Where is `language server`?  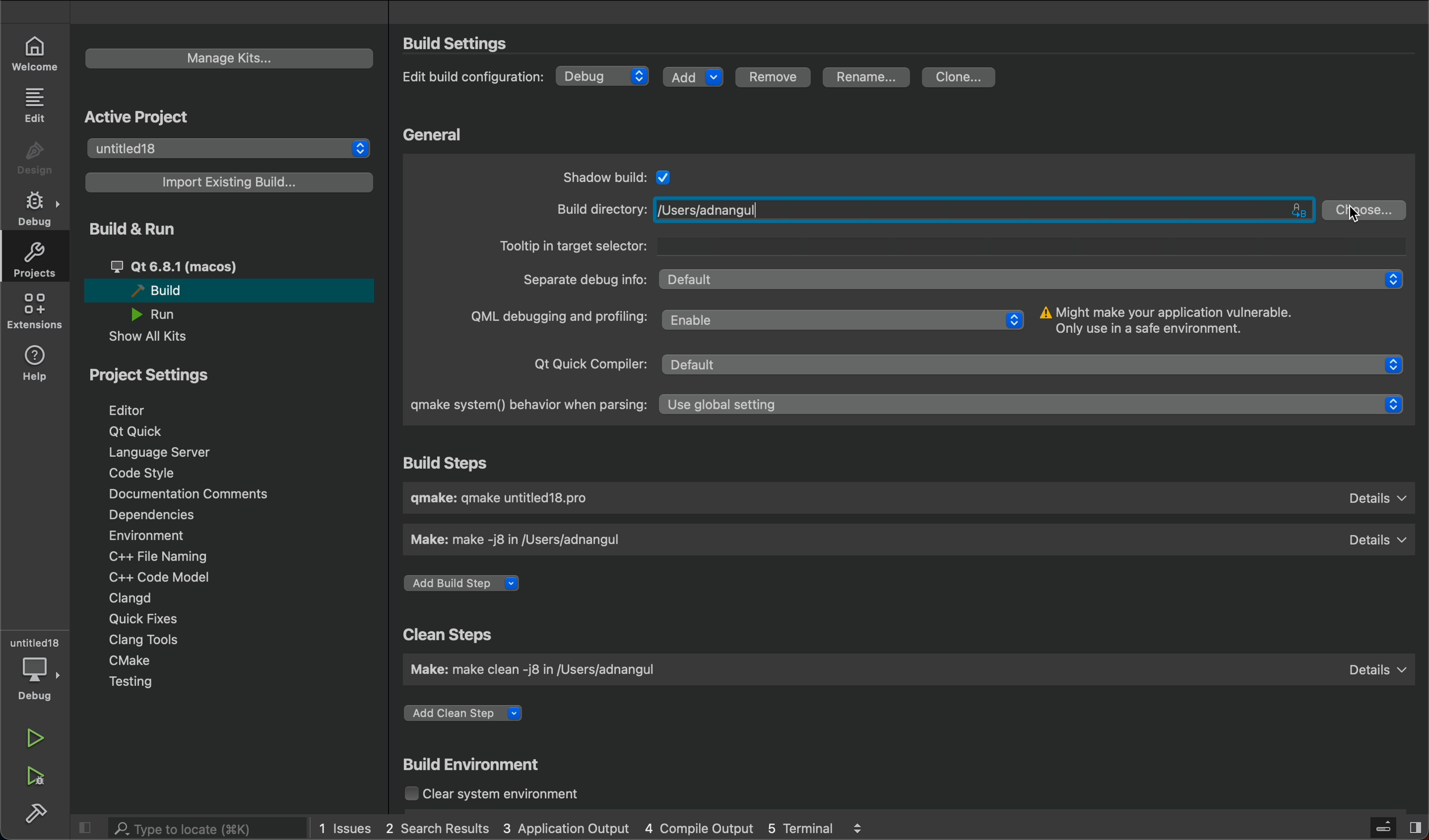 language server is located at coordinates (167, 454).